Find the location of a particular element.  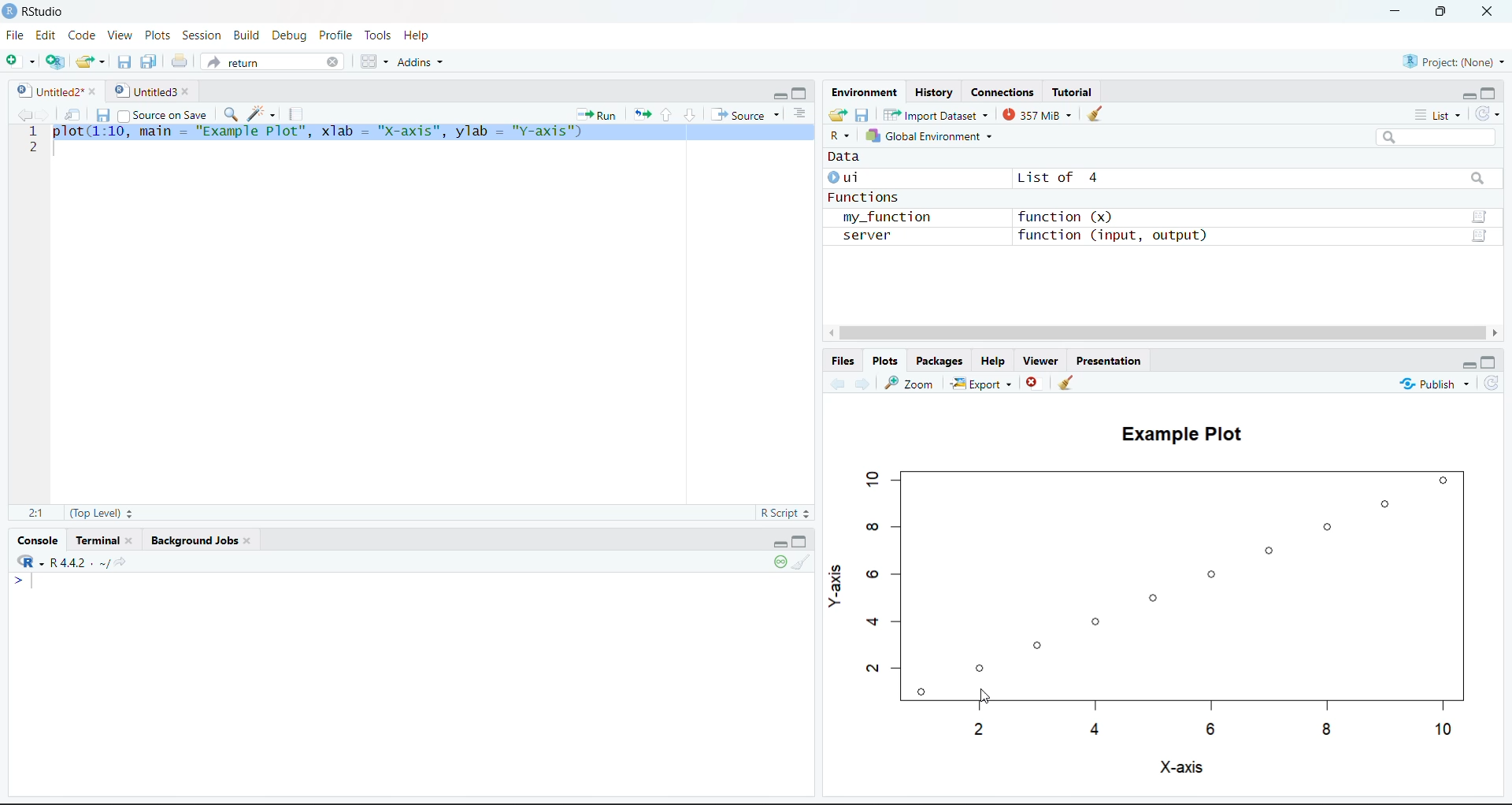

View is located at coordinates (118, 35).